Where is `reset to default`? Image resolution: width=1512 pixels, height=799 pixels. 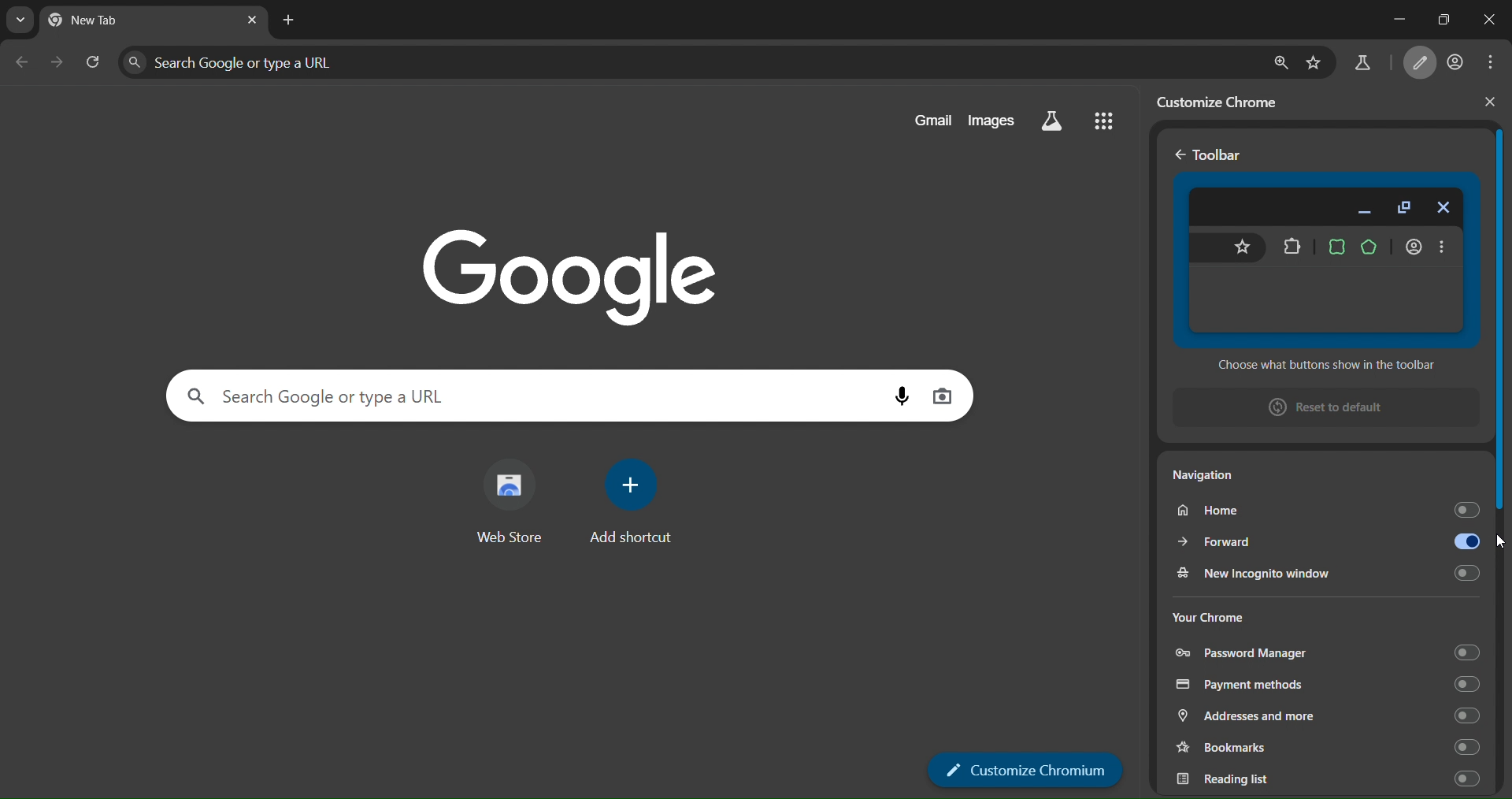
reset to default is located at coordinates (1317, 409).